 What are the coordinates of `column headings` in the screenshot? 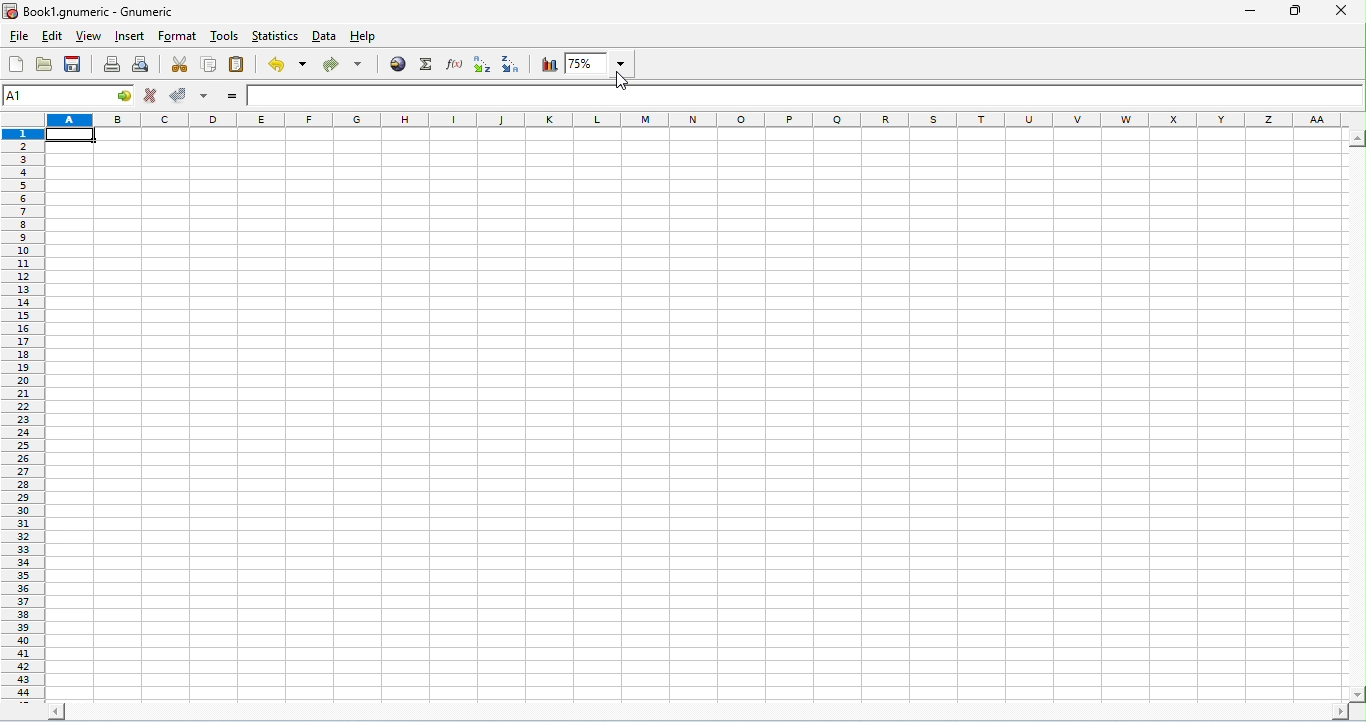 It's located at (697, 121).